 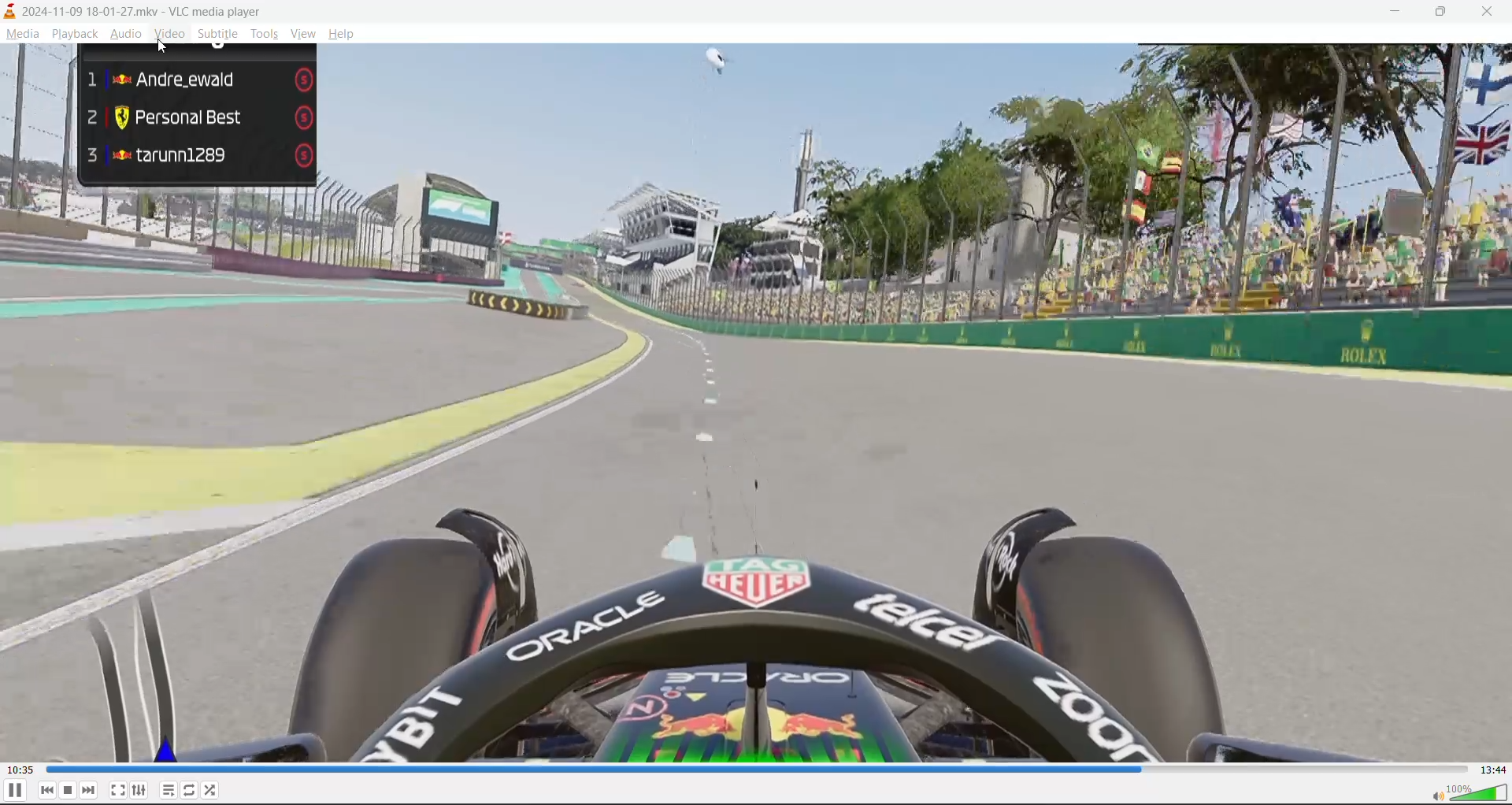 What do you see at coordinates (217, 791) in the screenshot?
I see `random` at bounding box center [217, 791].